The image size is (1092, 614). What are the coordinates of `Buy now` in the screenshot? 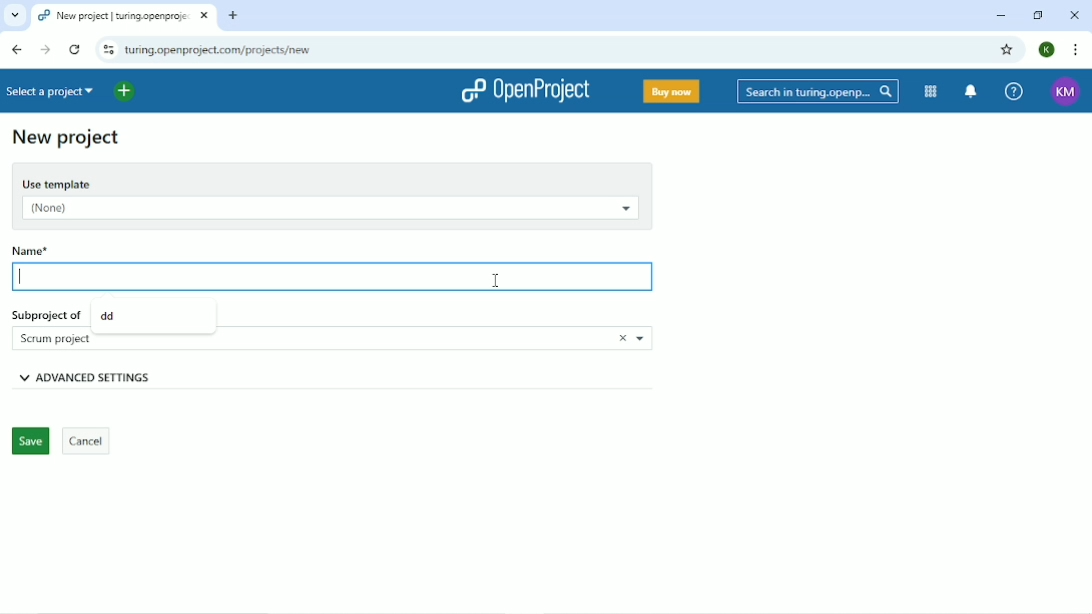 It's located at (670, 93).